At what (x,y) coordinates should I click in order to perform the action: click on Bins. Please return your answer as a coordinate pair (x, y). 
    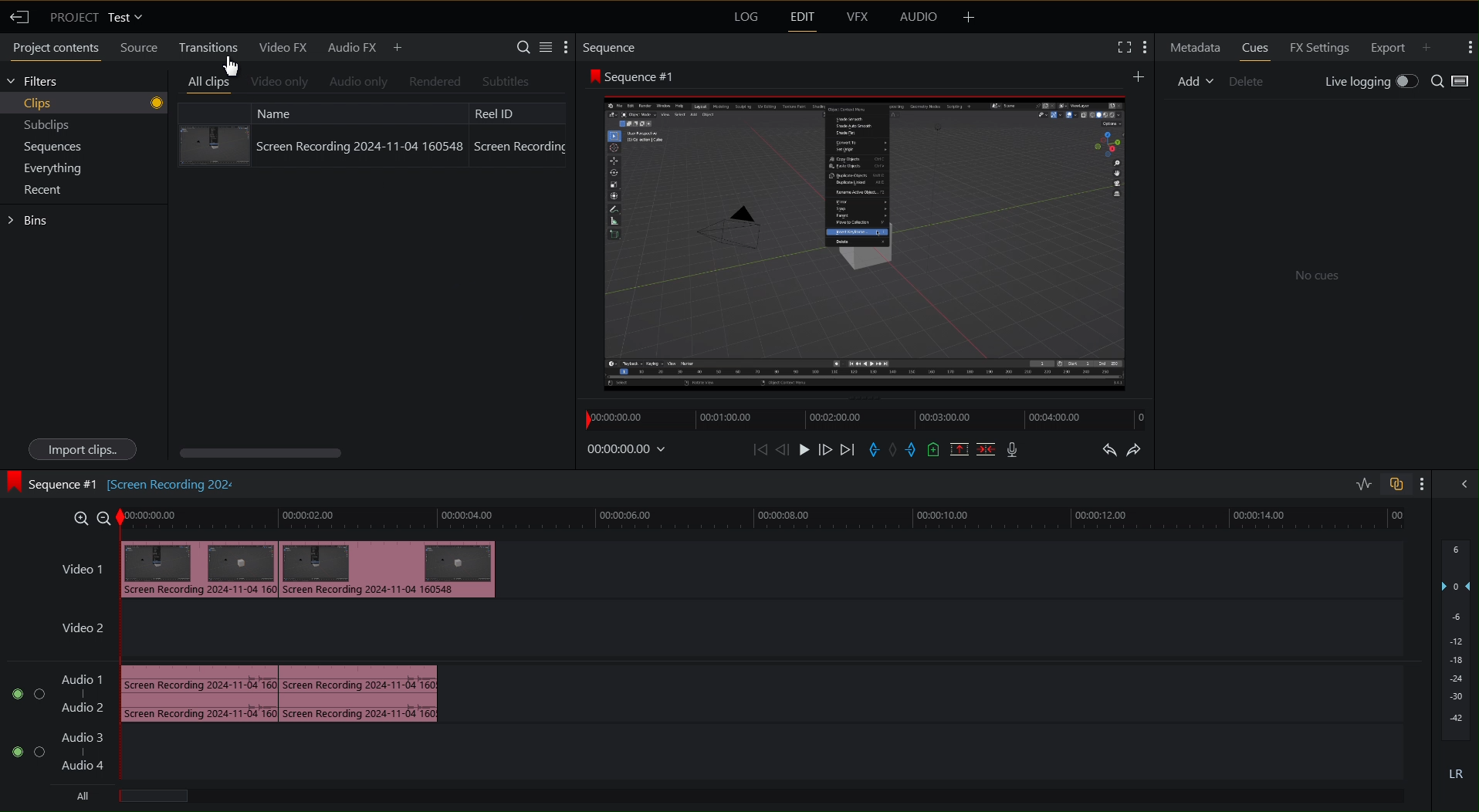
    Looking at the image, I should click on (34, 222).